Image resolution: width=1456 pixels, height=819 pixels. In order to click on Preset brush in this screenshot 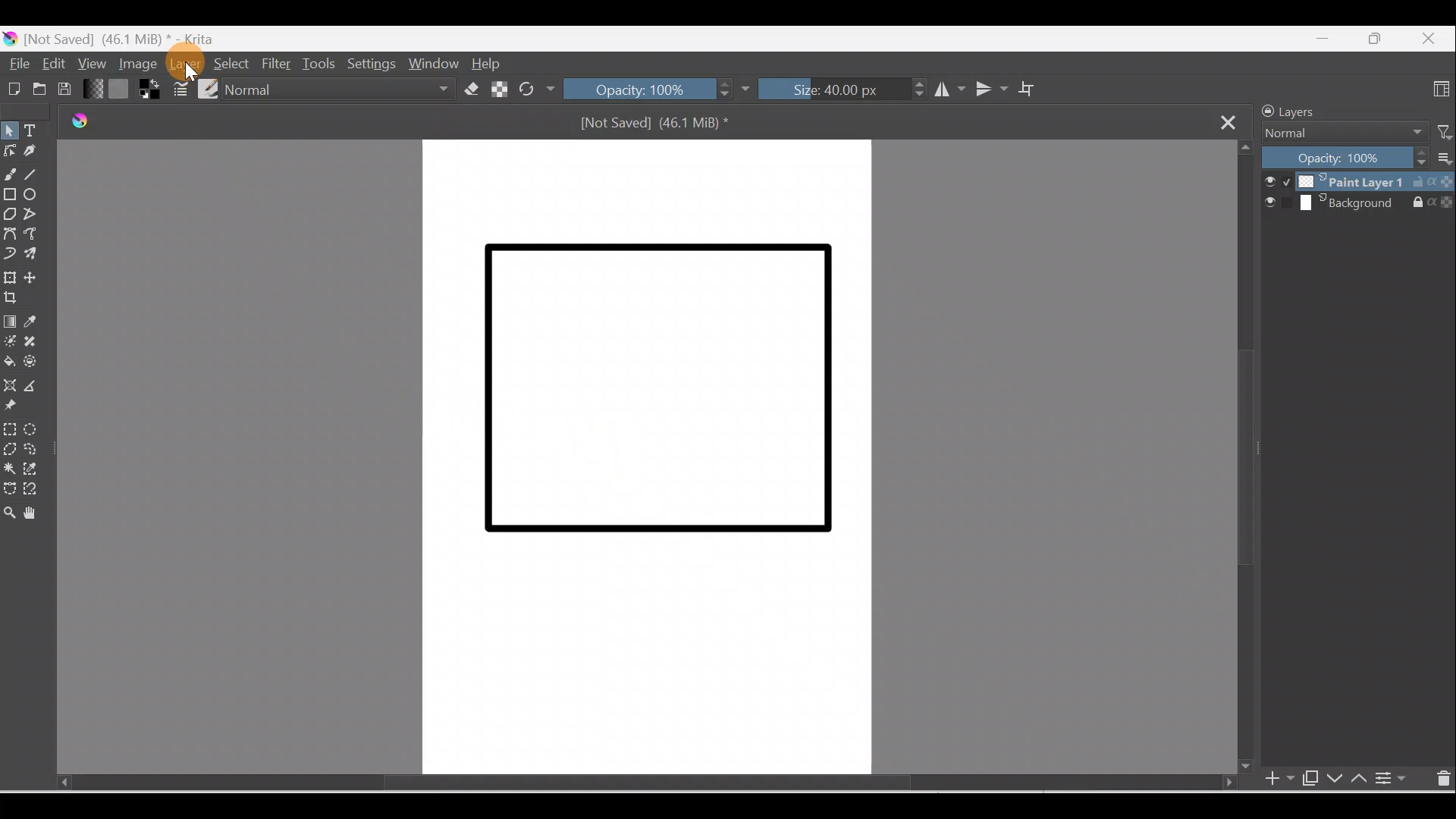, I will do `click(207, 88)`.